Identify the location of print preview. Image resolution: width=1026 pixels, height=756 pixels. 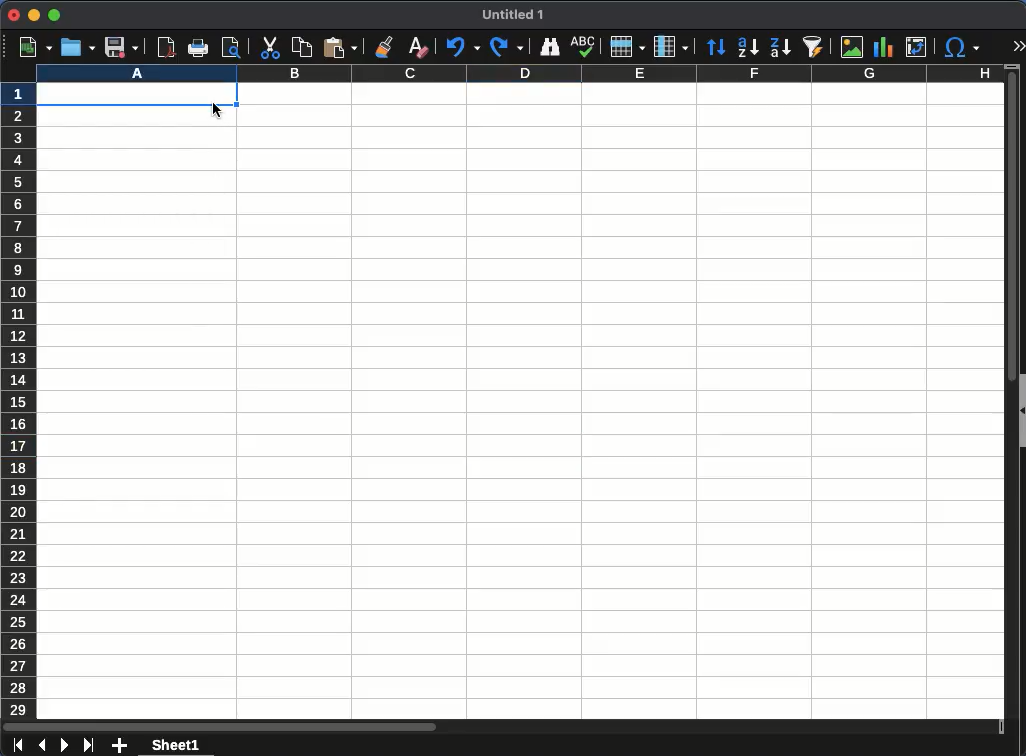
(231, 47).